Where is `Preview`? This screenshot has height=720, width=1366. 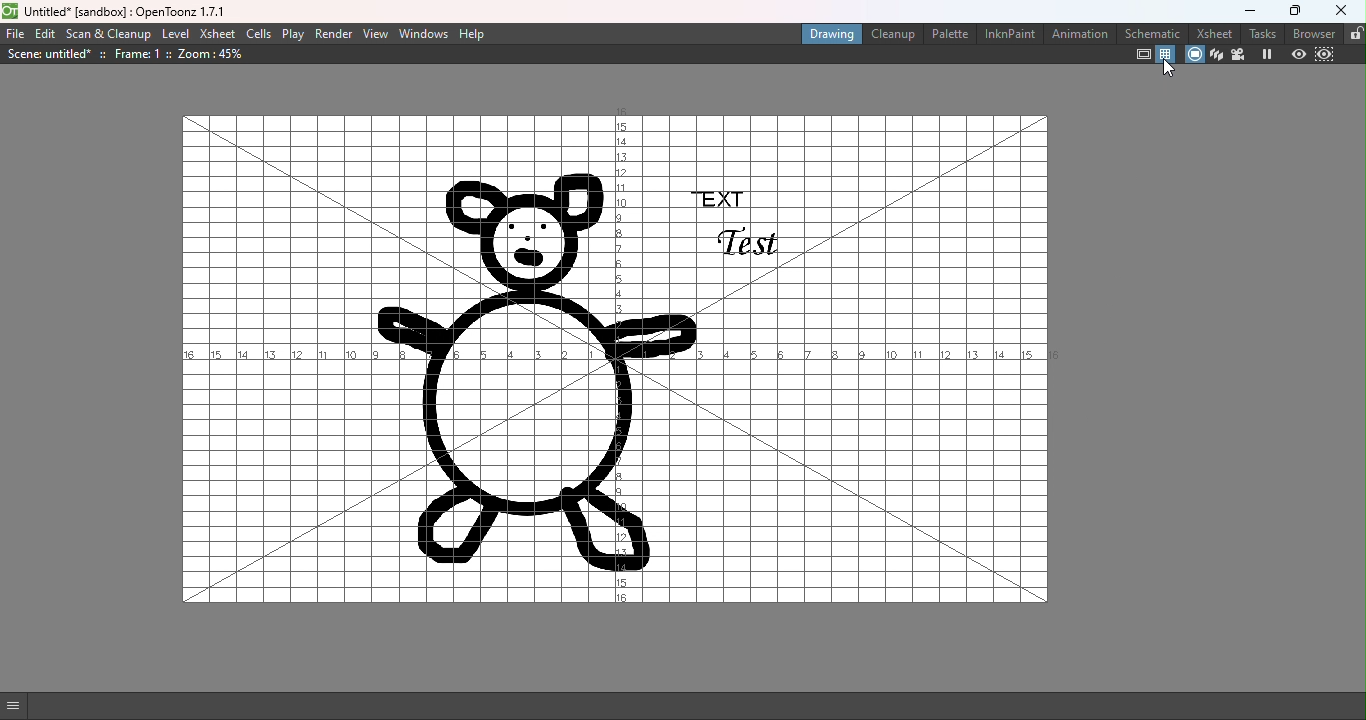
Preview is located at coordinates (1295, 55).